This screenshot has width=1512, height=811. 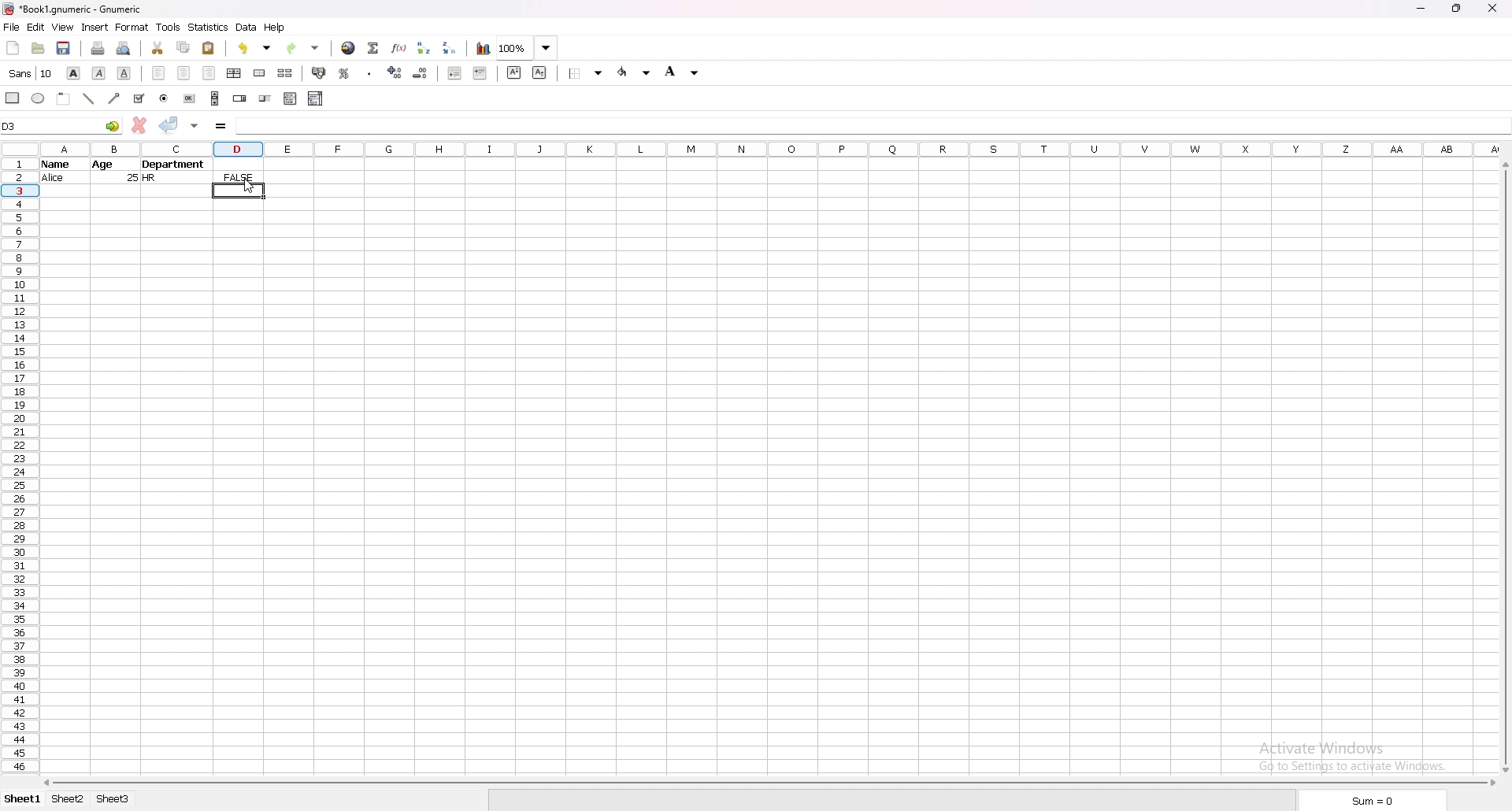 What do you see at coordinates (12, 49) in the screenshot?
I see `new` at bounding box center [12, 49].